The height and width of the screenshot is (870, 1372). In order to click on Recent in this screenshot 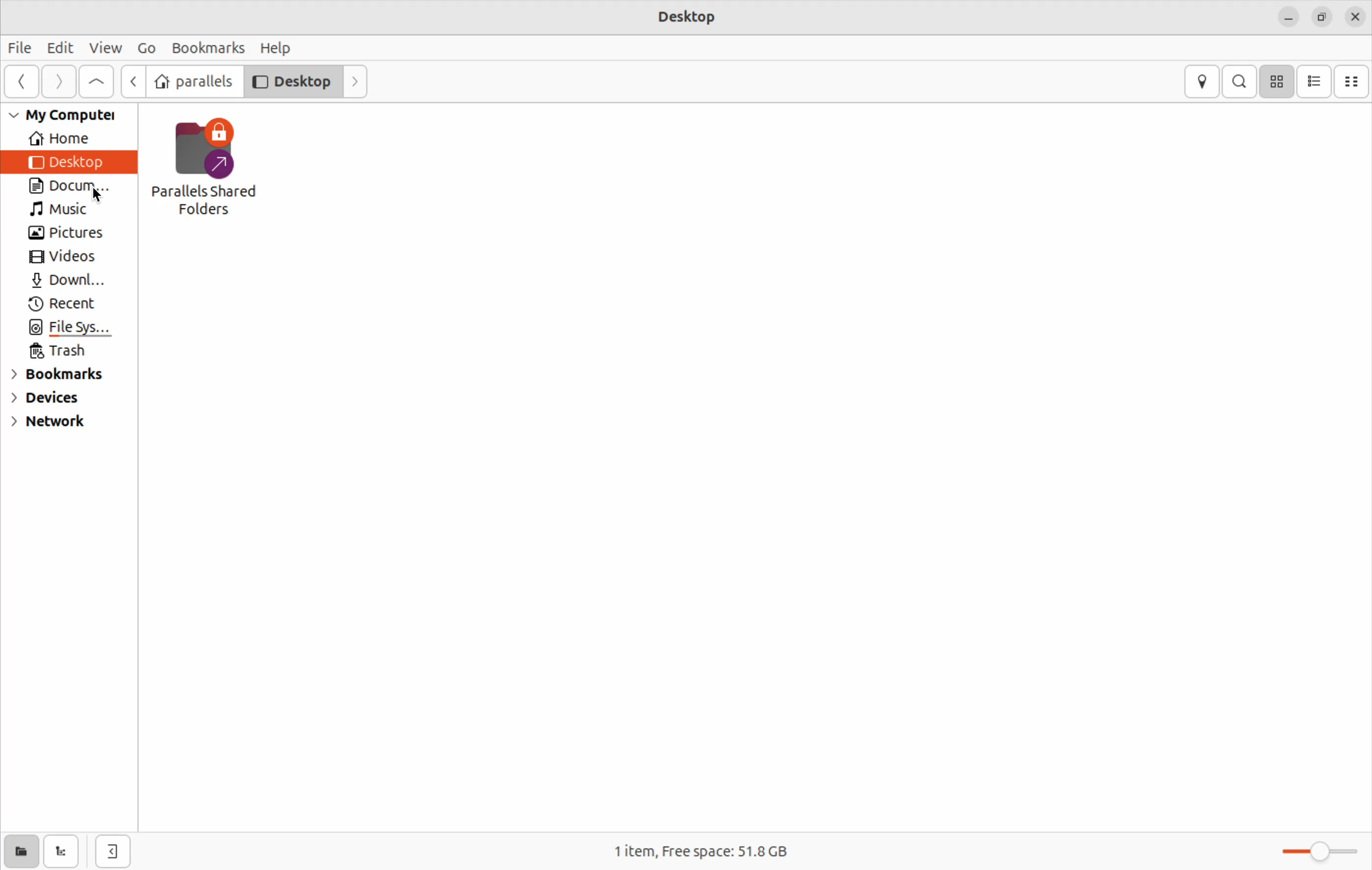, I will do `click(61, 304)`.